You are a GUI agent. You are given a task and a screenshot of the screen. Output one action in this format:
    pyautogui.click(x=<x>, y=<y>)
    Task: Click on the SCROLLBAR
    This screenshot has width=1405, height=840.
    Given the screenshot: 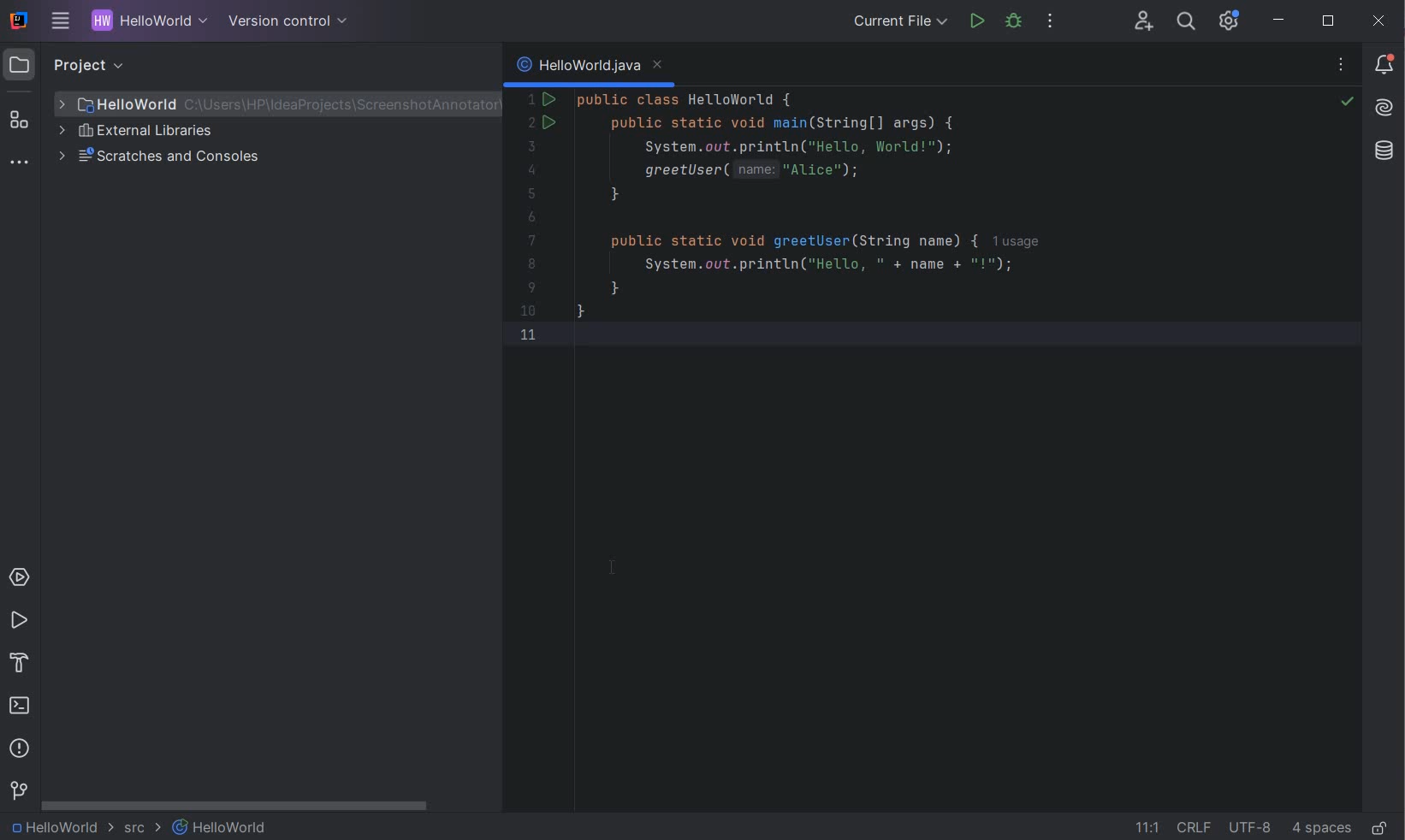 What is the action you would take?
    pyautogui.click(x=237, y=807)
    